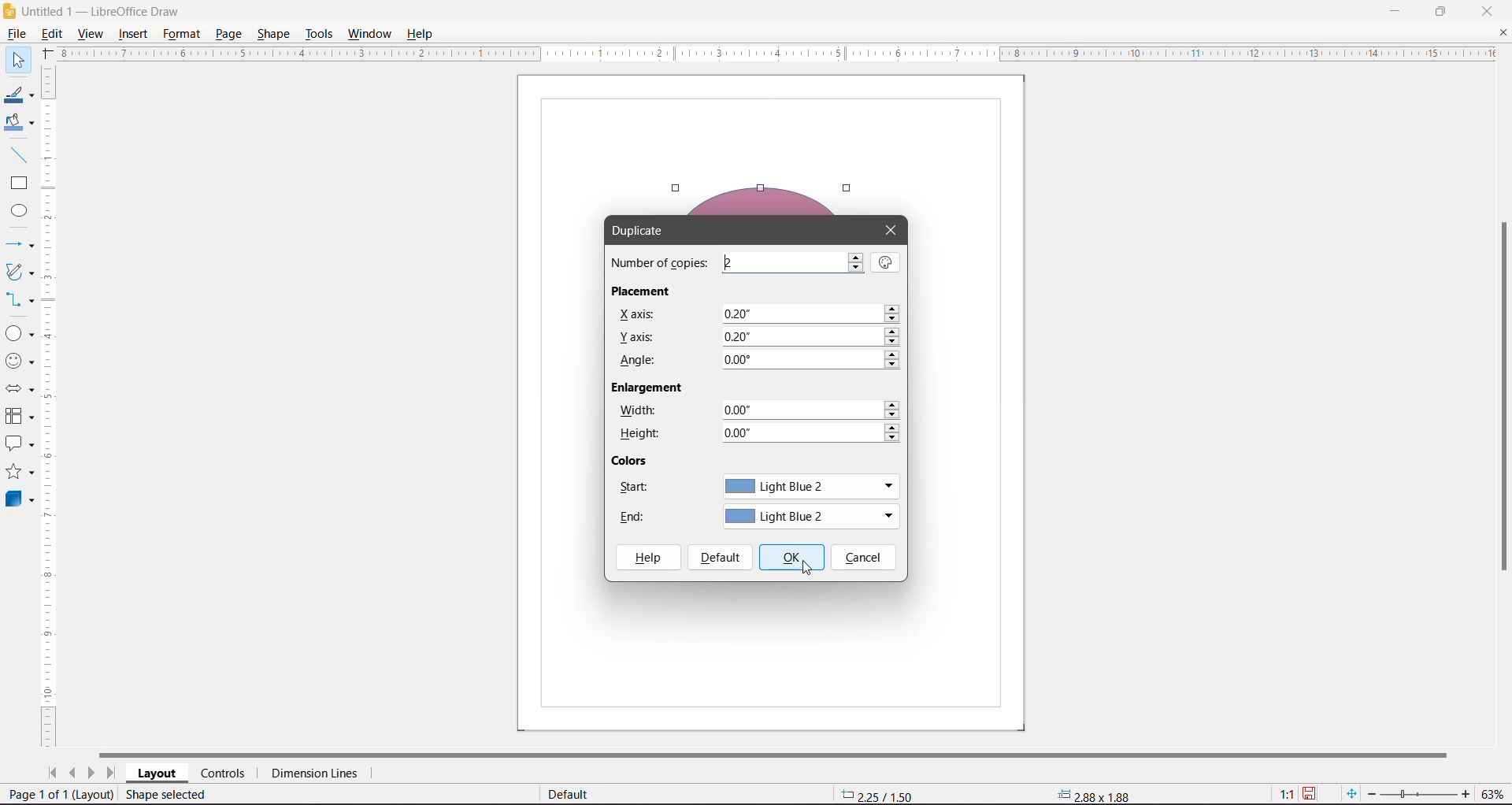 The height and width of the screenshot is (805, 1512). What do you see at coordinates (865, 558) in the screenshot?
I see `Cancel` at bounding box center [865, 558].